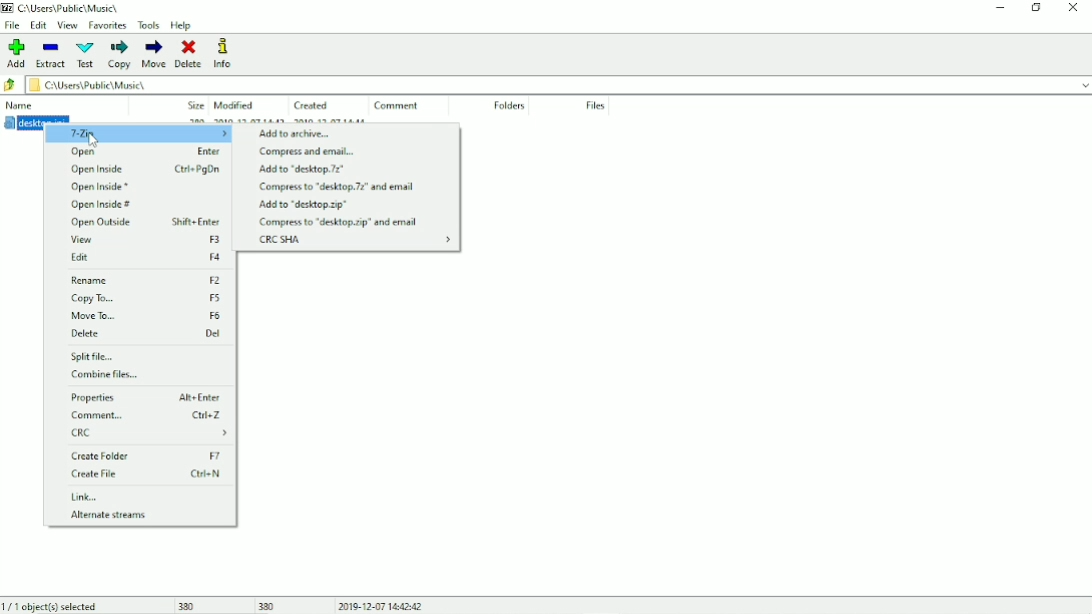  Describe the element at coordinates (145, 222) in the screenshot. I see `Open Outside` at that location.